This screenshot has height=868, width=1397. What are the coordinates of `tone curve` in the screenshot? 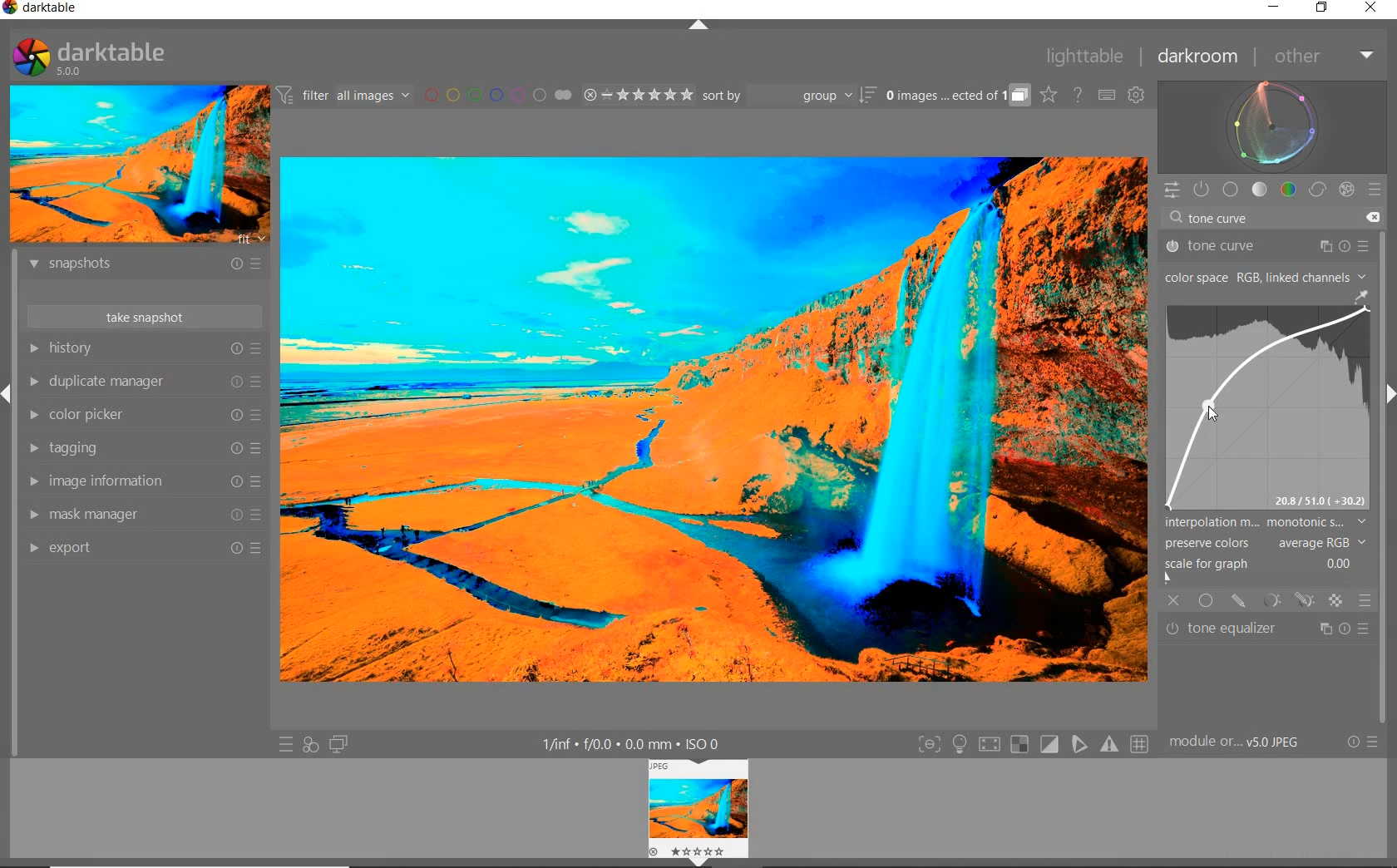 It's located at (1265, 246).